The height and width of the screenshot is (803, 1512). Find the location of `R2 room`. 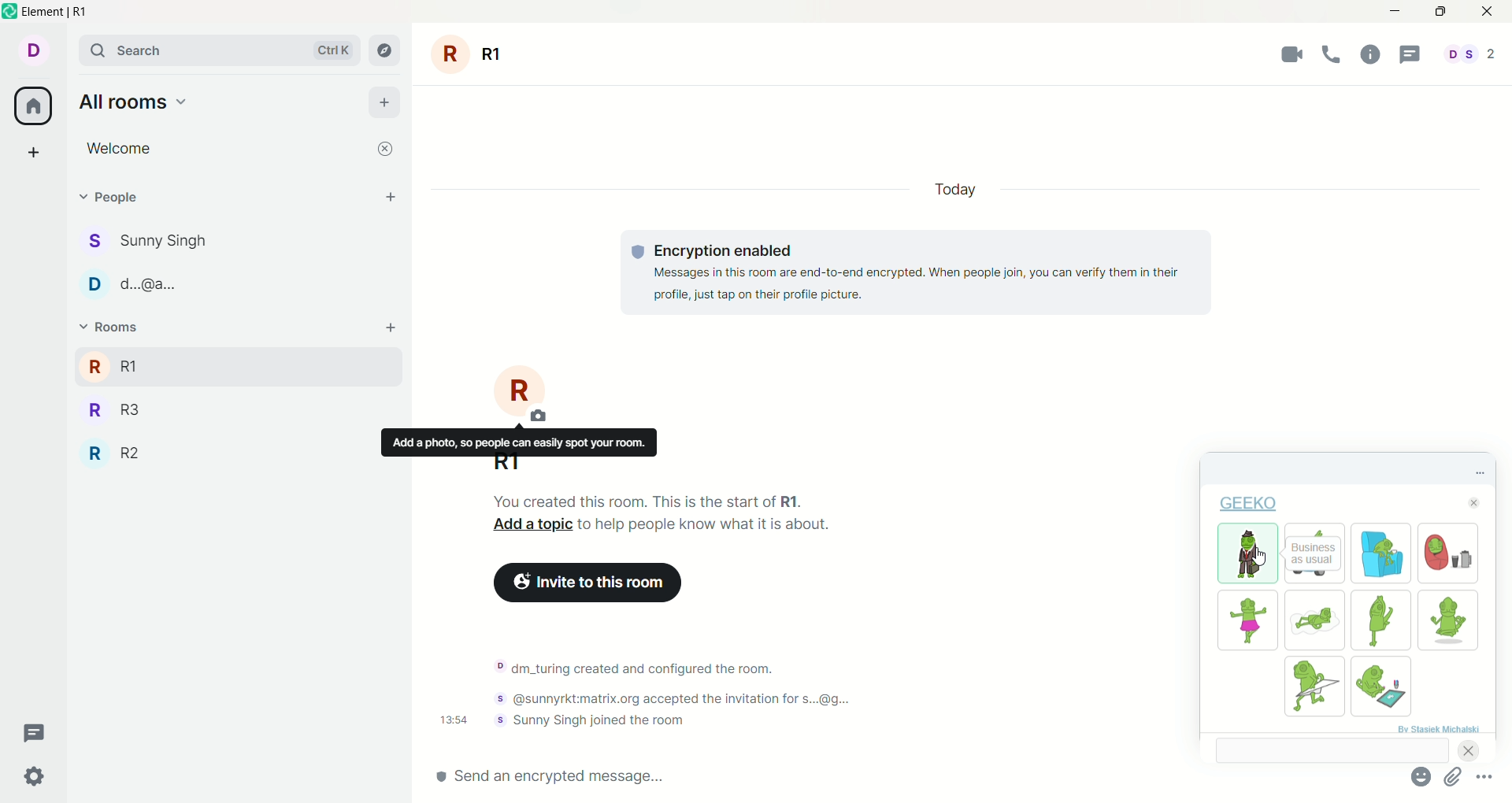

R2 room is located at coordinates (113, 453).